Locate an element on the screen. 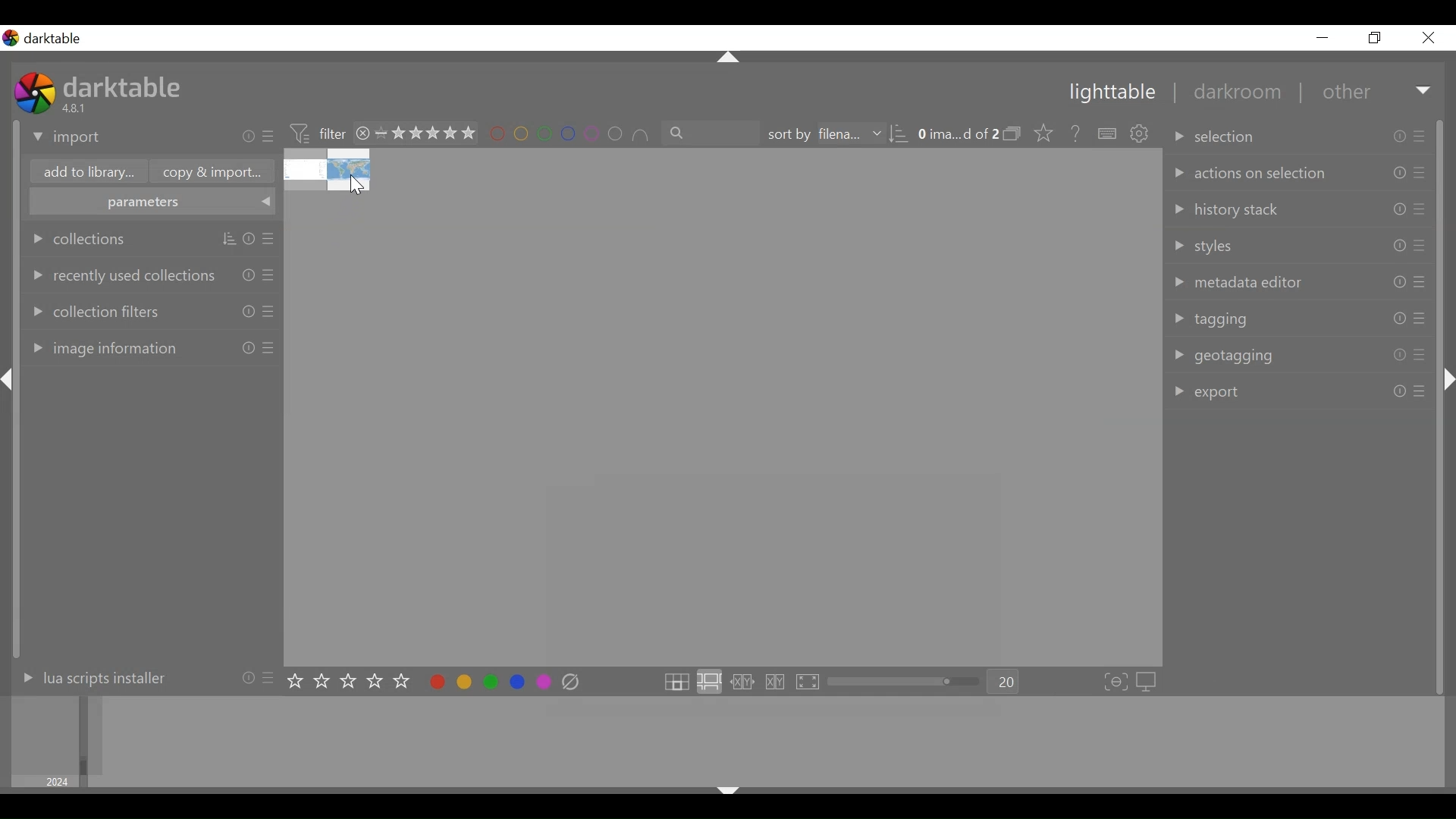  click to enter culling layout in dynamic mode is located at coordinates (775, 682).